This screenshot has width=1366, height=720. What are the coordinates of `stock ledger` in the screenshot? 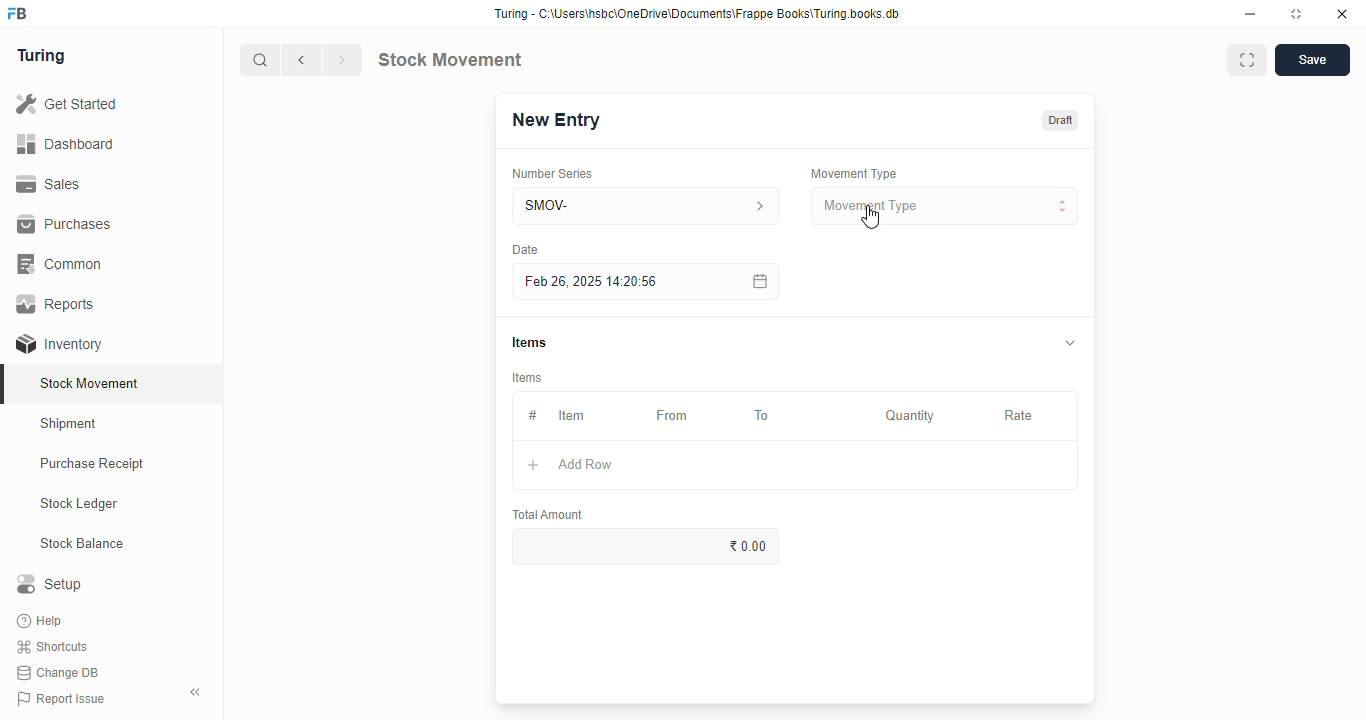 It's located at (80, 504).